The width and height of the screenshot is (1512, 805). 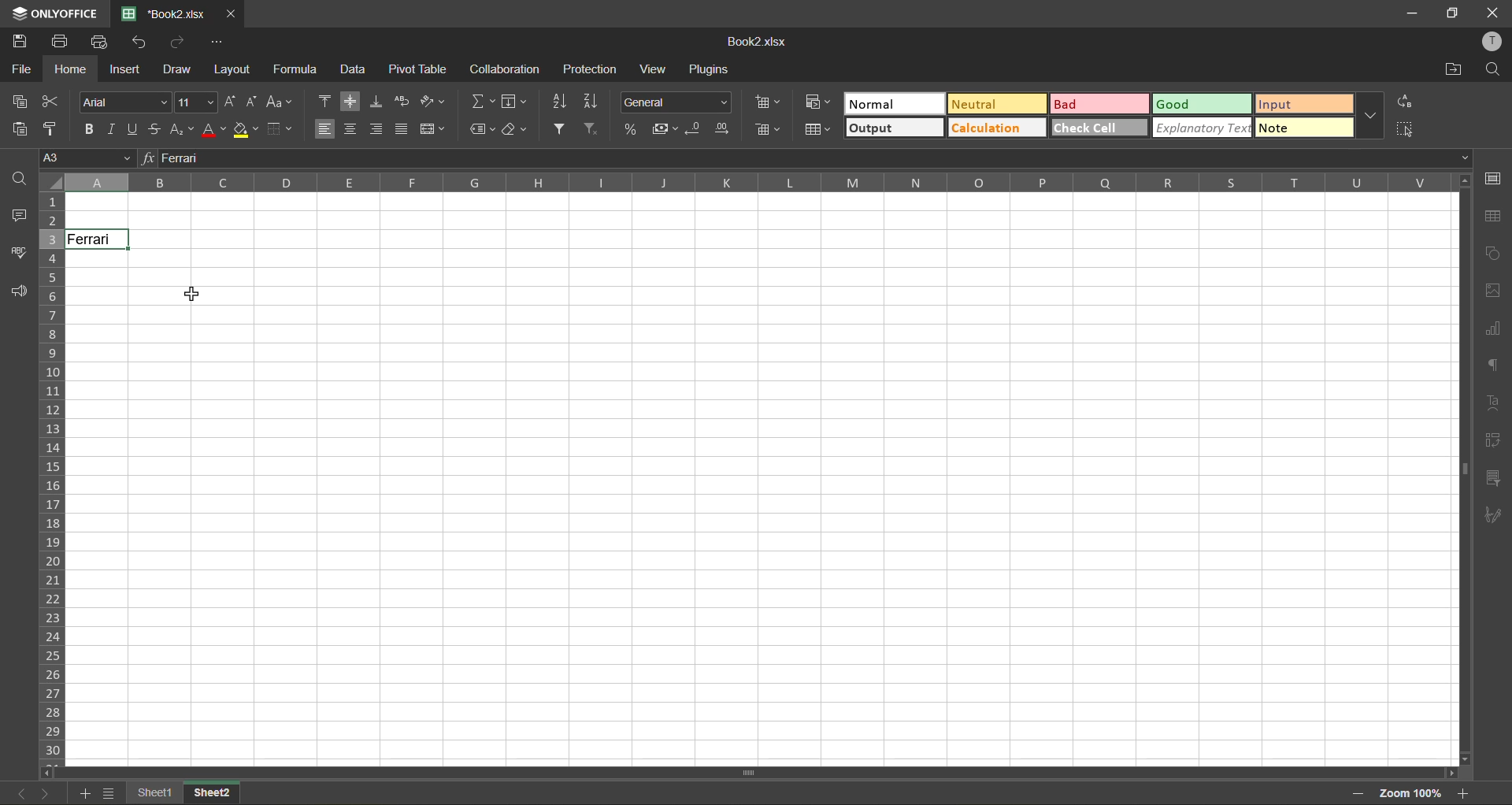 What do you see at coordinates (1495, 252) in the screenshot?
I see `shapes` at bounding box center [1495, 252].